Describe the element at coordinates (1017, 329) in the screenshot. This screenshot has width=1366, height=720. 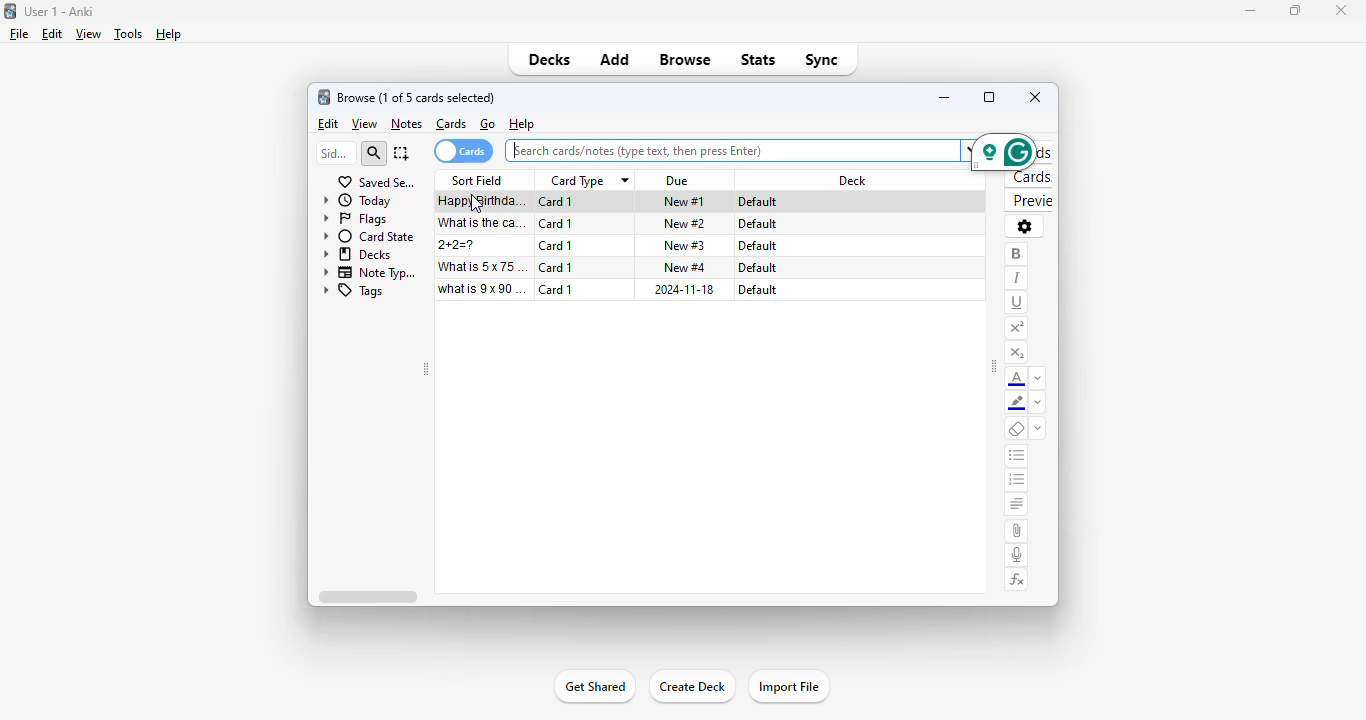
I see `superscript` at that location.